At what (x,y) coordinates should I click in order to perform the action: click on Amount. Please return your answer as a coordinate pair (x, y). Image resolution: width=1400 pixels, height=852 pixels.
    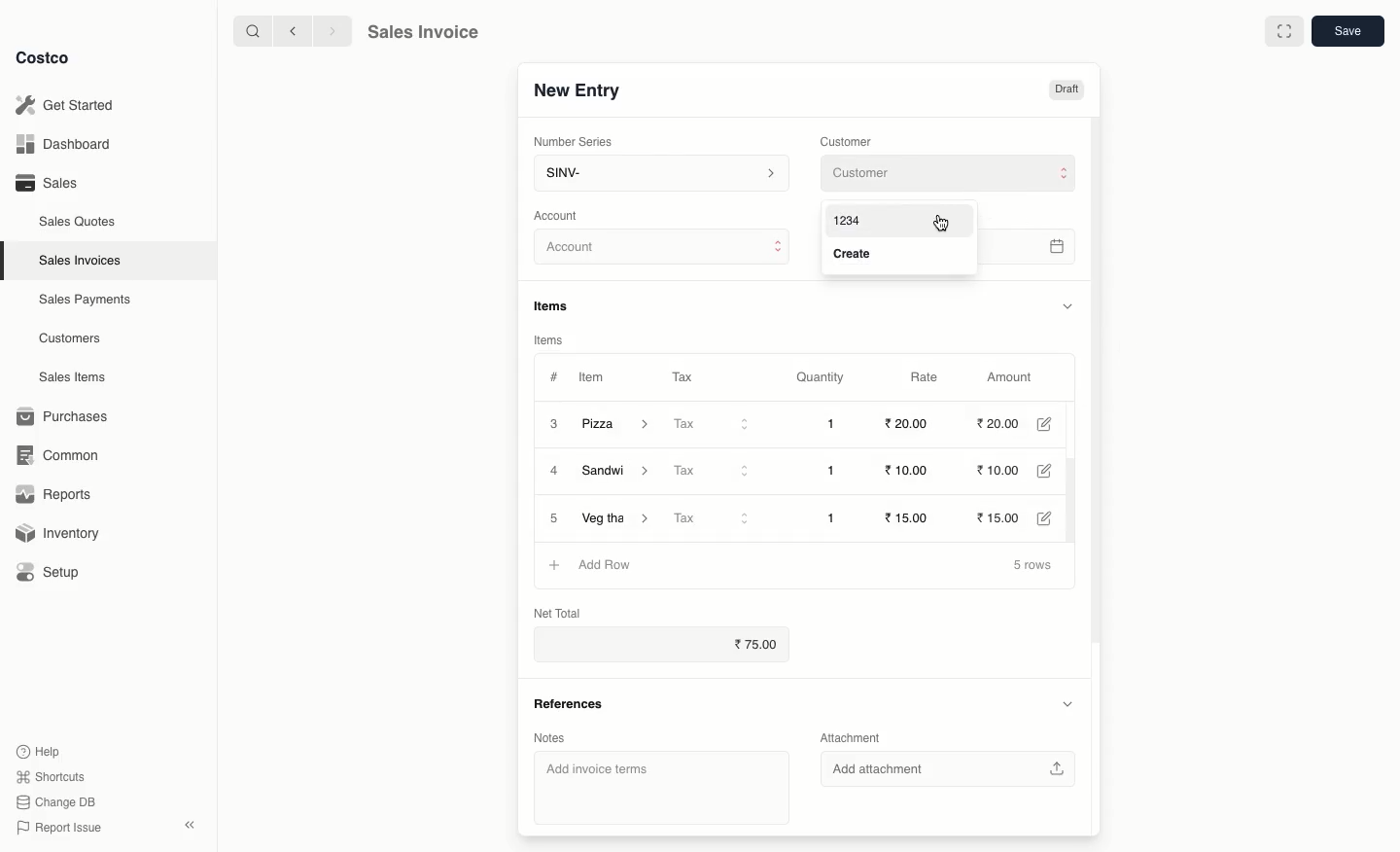
    Looking at the image, I should click on (1015, 377).